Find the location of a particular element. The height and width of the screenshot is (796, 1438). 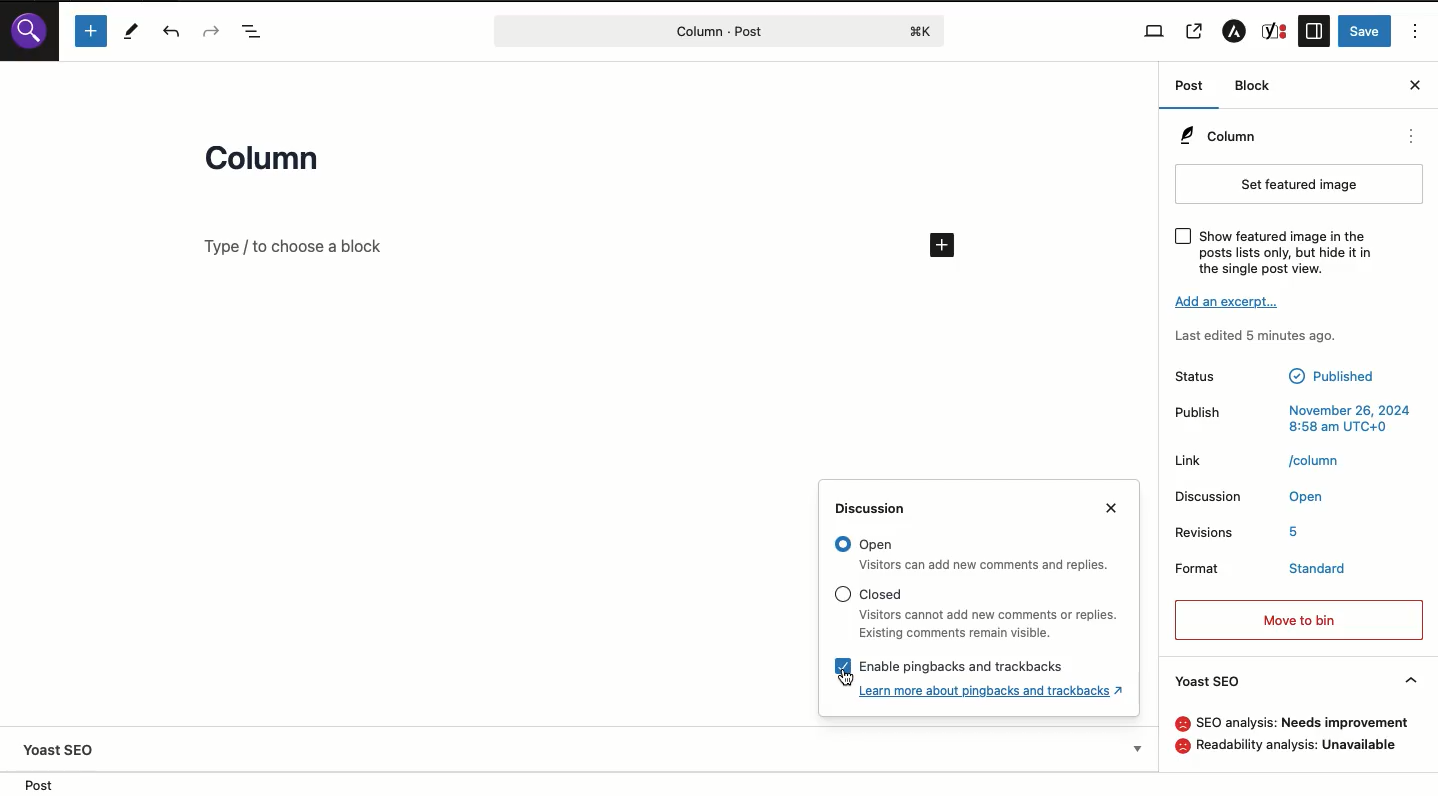

emoji is located at coordinates (1182, 723).